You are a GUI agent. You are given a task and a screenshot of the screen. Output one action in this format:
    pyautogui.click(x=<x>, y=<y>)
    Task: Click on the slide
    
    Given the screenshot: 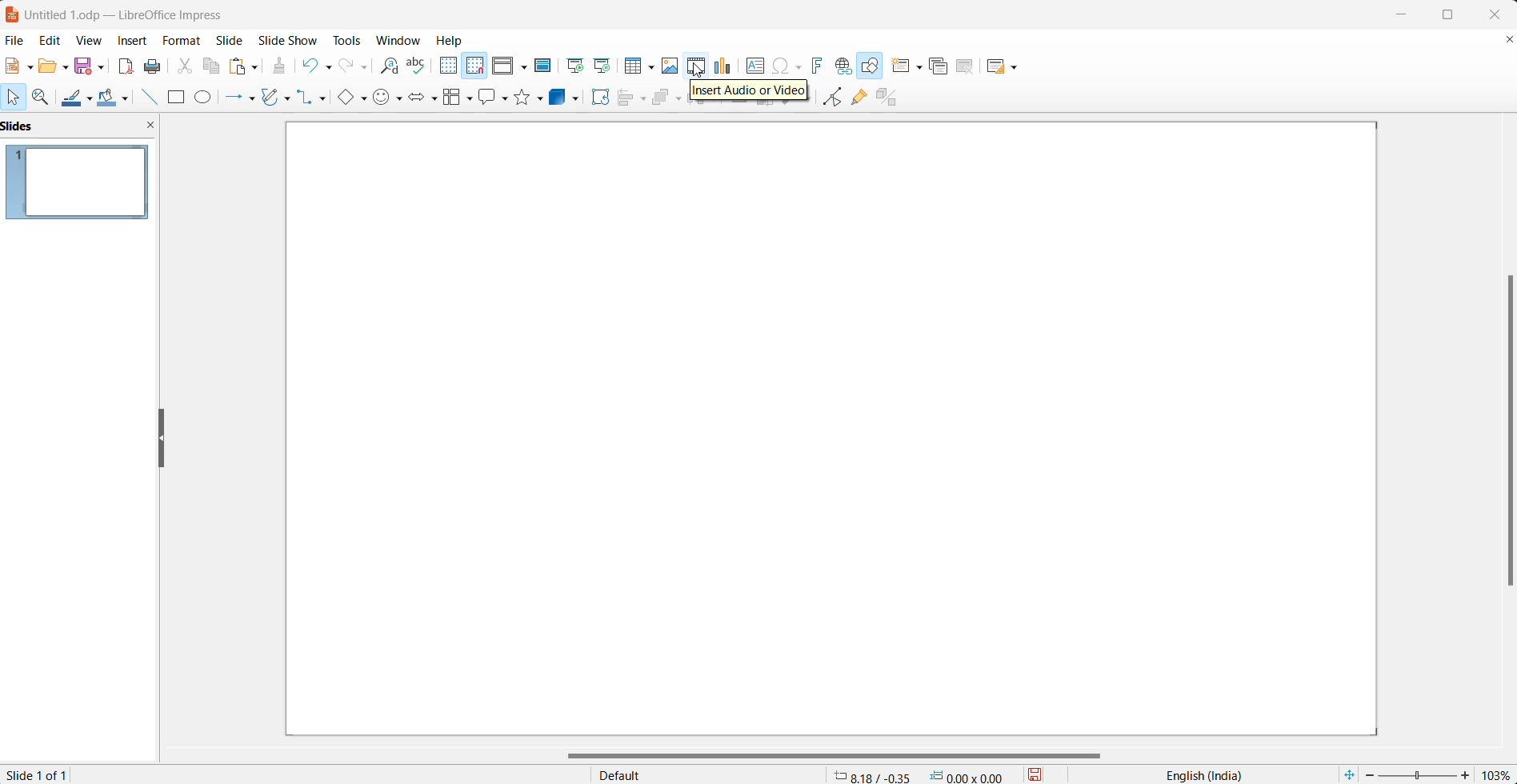 What is the action you would take?
    pyautogui.click(x=230, y=38)
    